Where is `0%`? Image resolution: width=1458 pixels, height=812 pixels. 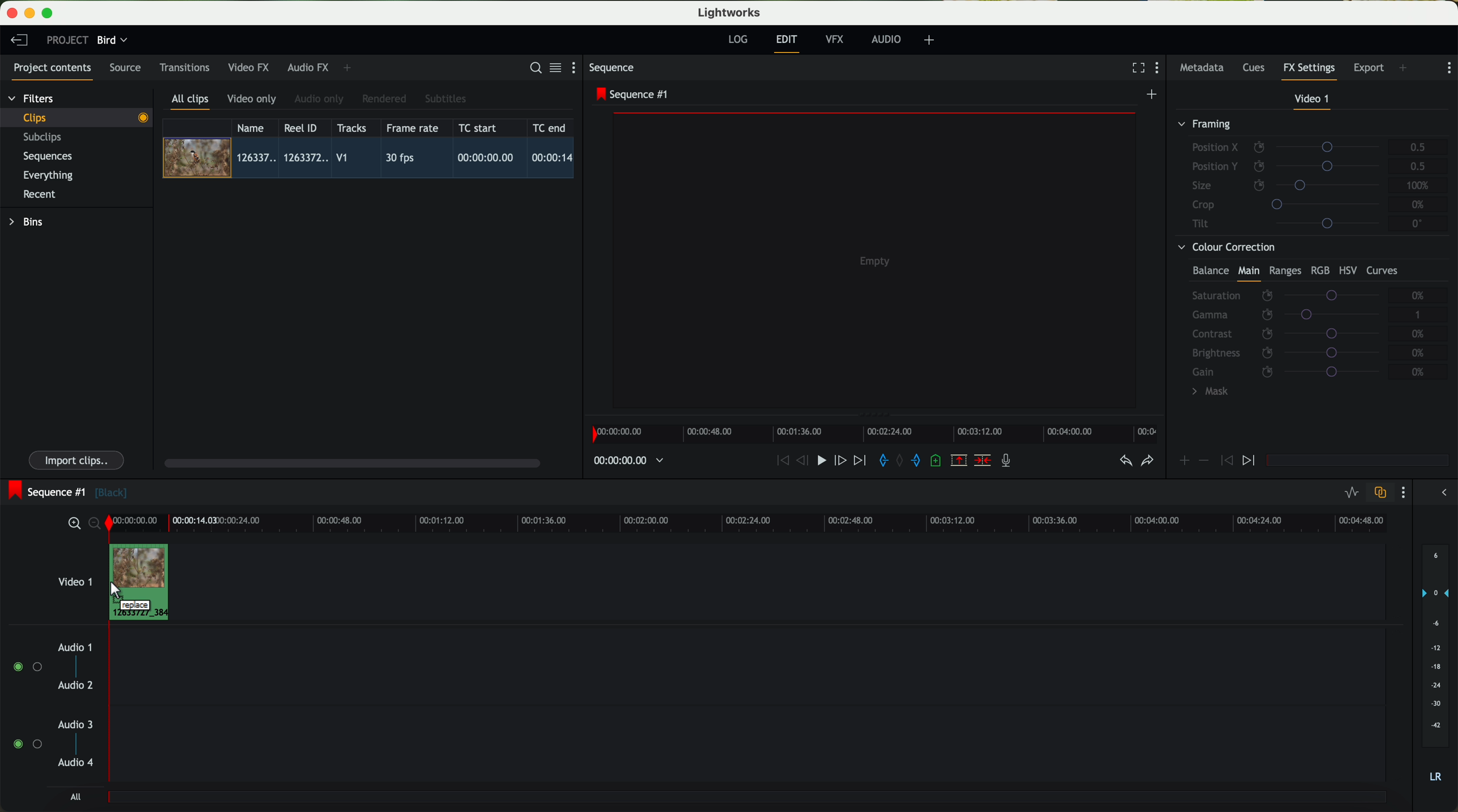 0% is located at coordinates (1420, 334).